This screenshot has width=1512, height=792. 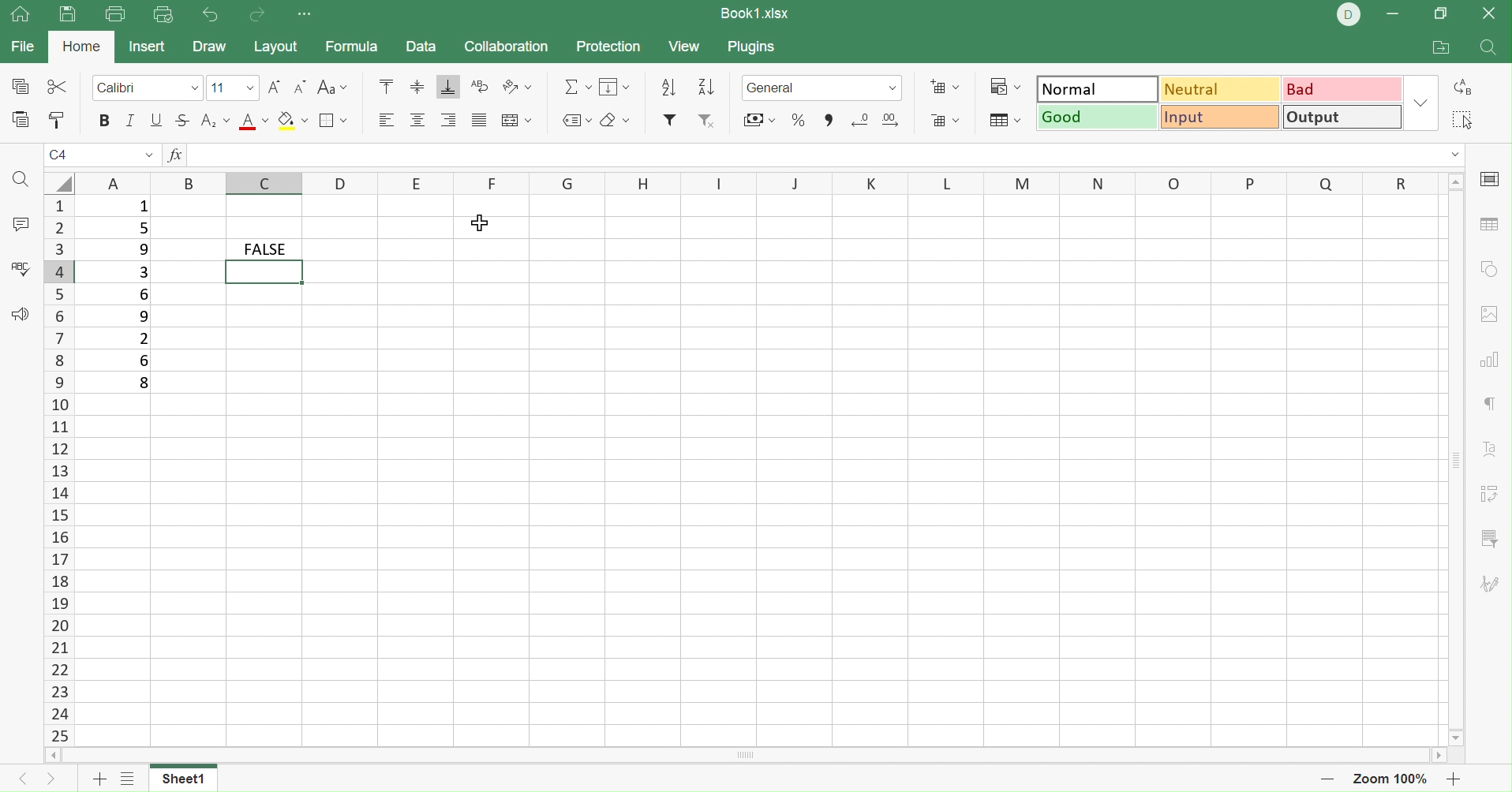 I want to click on Image settings, so click(x=1489, y=313).